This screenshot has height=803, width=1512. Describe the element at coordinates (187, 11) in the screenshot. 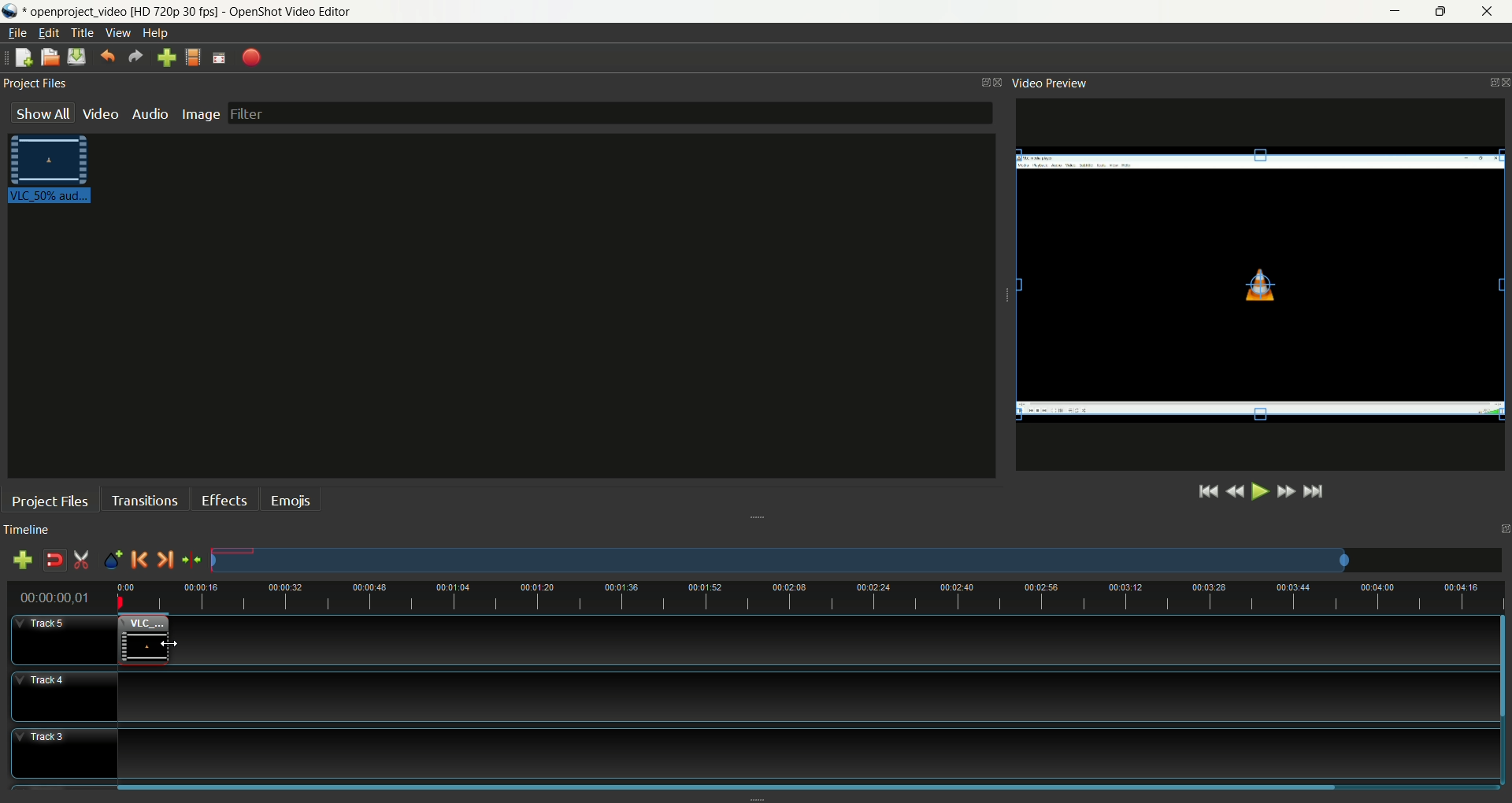

I see `file name` at that location.